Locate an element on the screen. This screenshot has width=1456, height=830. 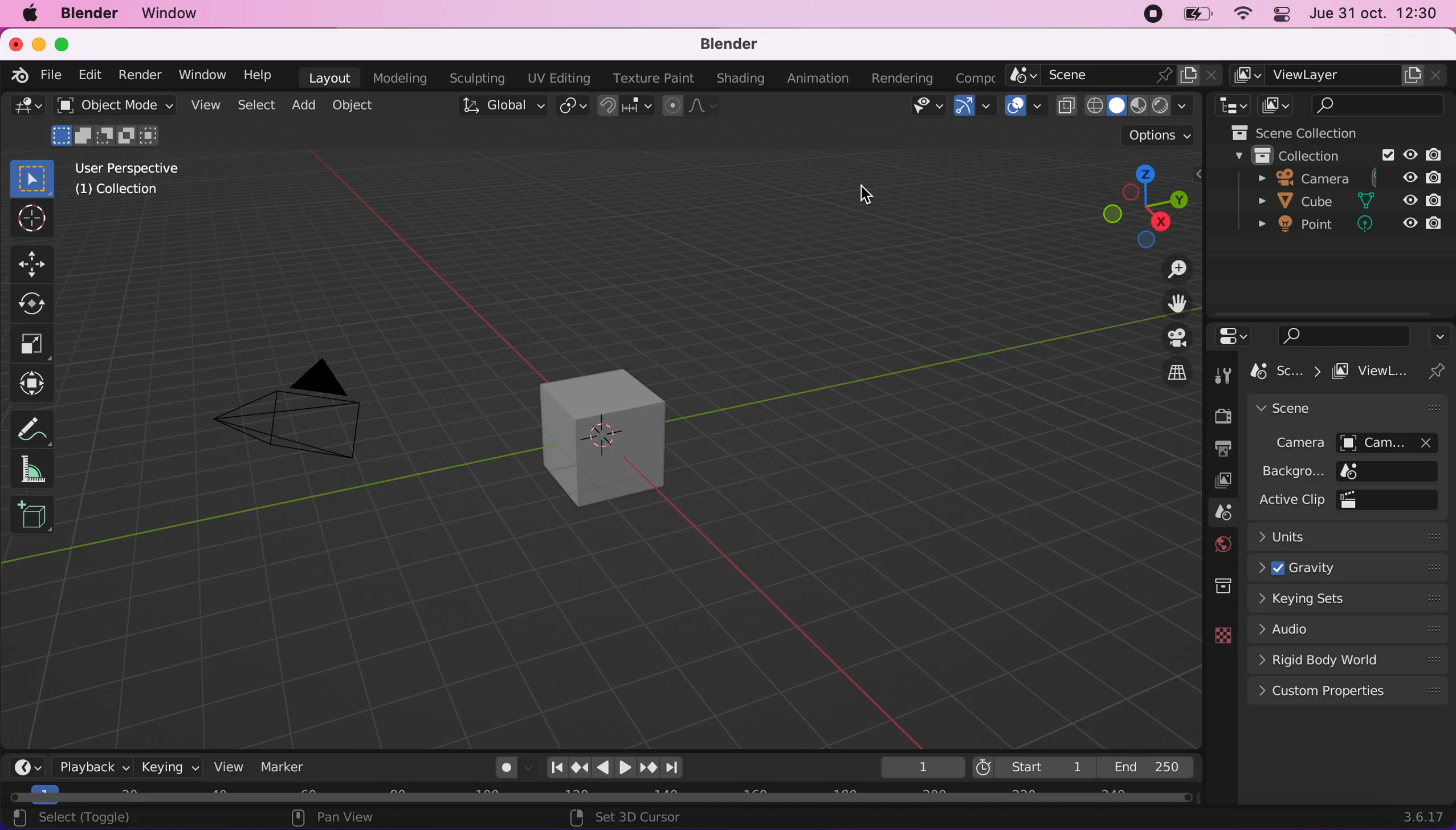
edit is located at coordinates (92, 77).